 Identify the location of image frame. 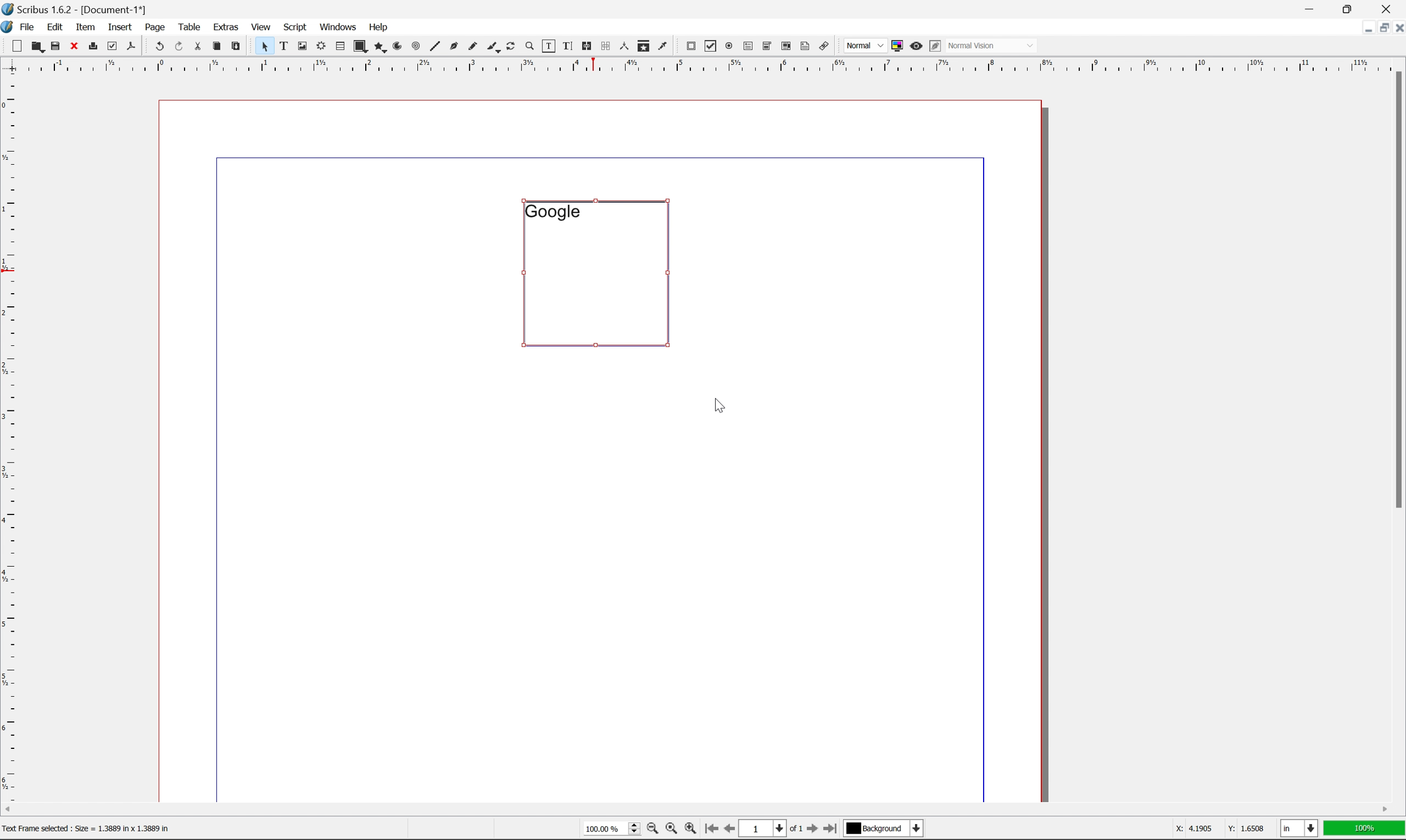
(302, 47).